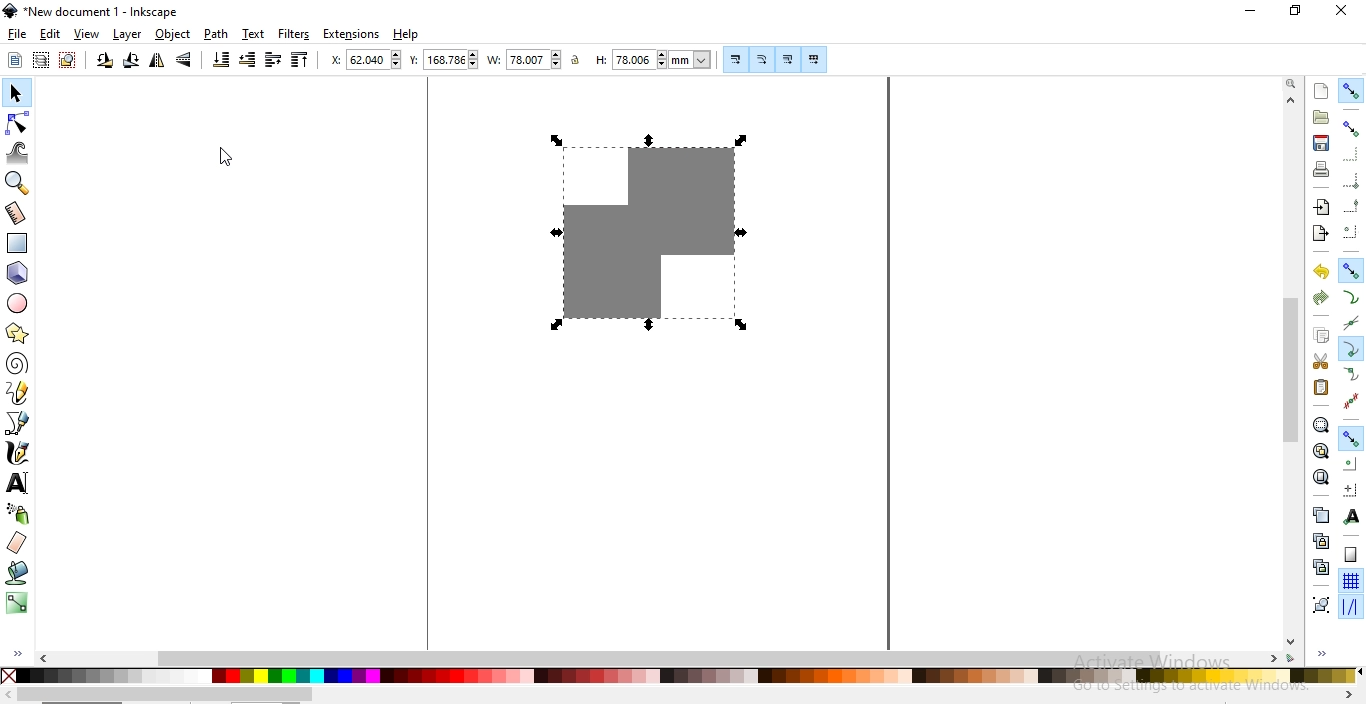 The width and height of the screenshot is (1366, 704). Describe the element at coordinates (1352, 349) in the screenshot. I see `snap cusp nodes` at that location.